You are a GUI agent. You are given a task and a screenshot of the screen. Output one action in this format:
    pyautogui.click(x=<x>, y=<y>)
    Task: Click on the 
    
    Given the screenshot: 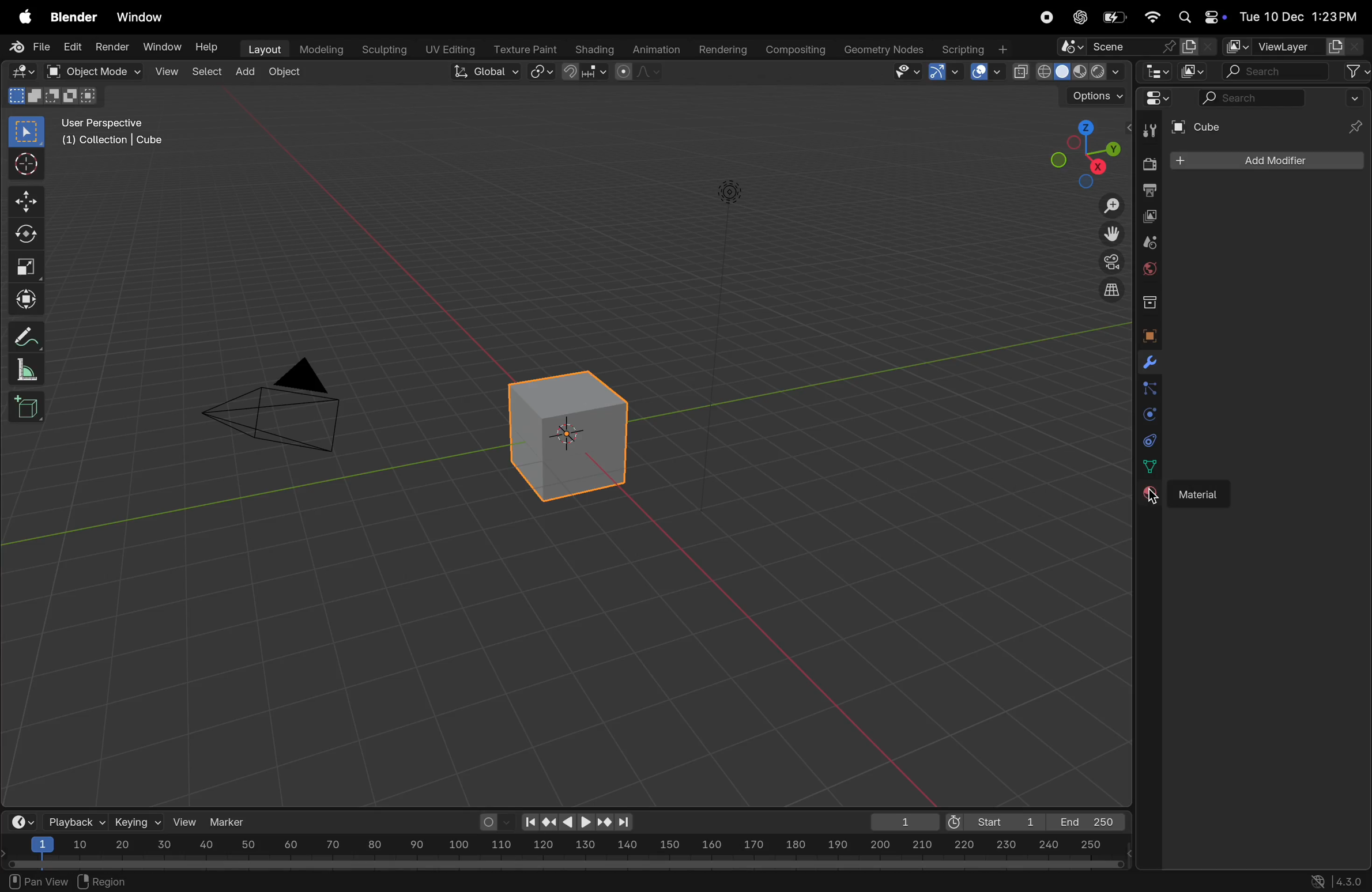 What is the action you would take?
    pyautogui.click(x=1151, y=467)
    